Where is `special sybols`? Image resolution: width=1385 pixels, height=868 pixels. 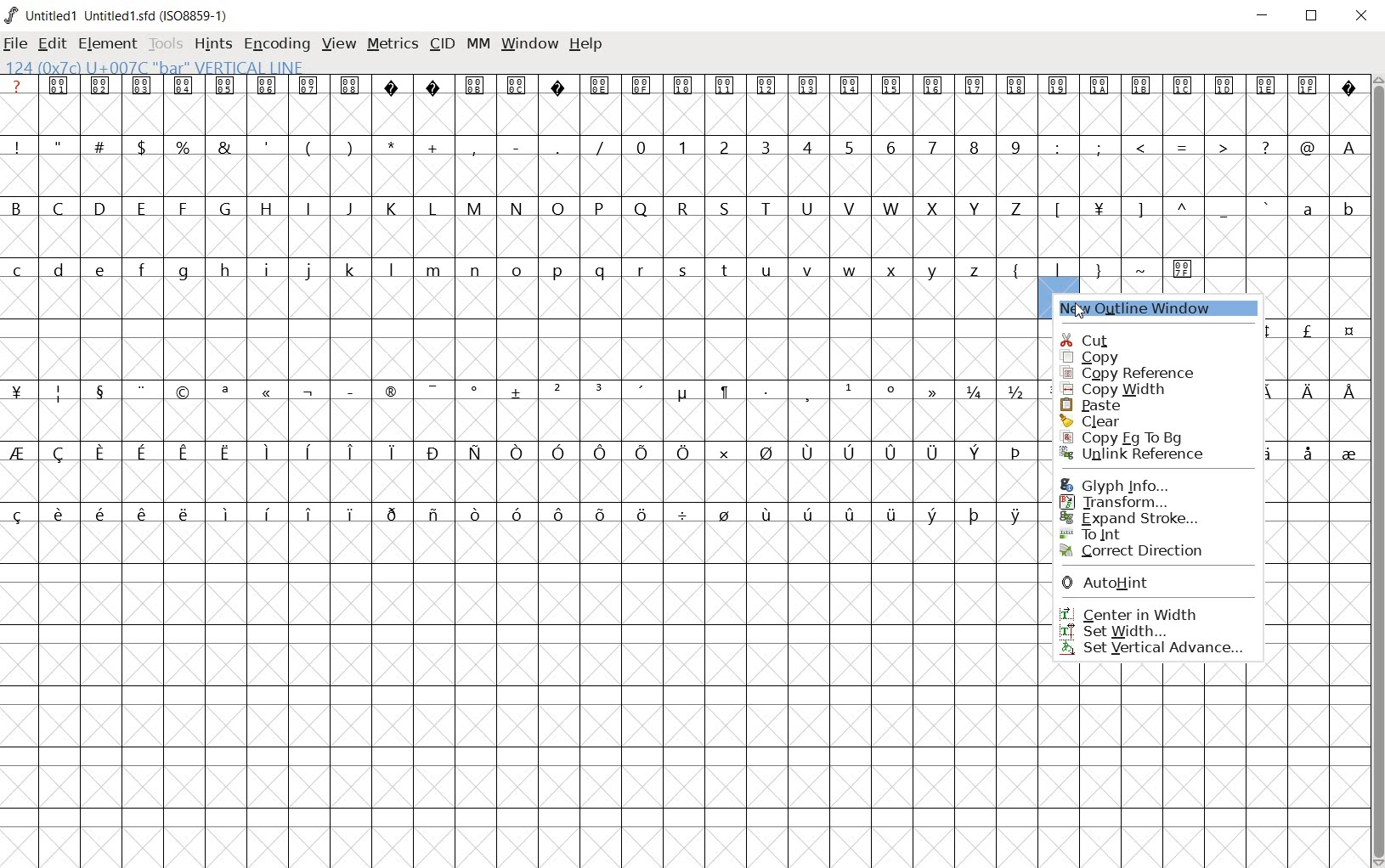
special sybols is located at coordinates (1323, 389).